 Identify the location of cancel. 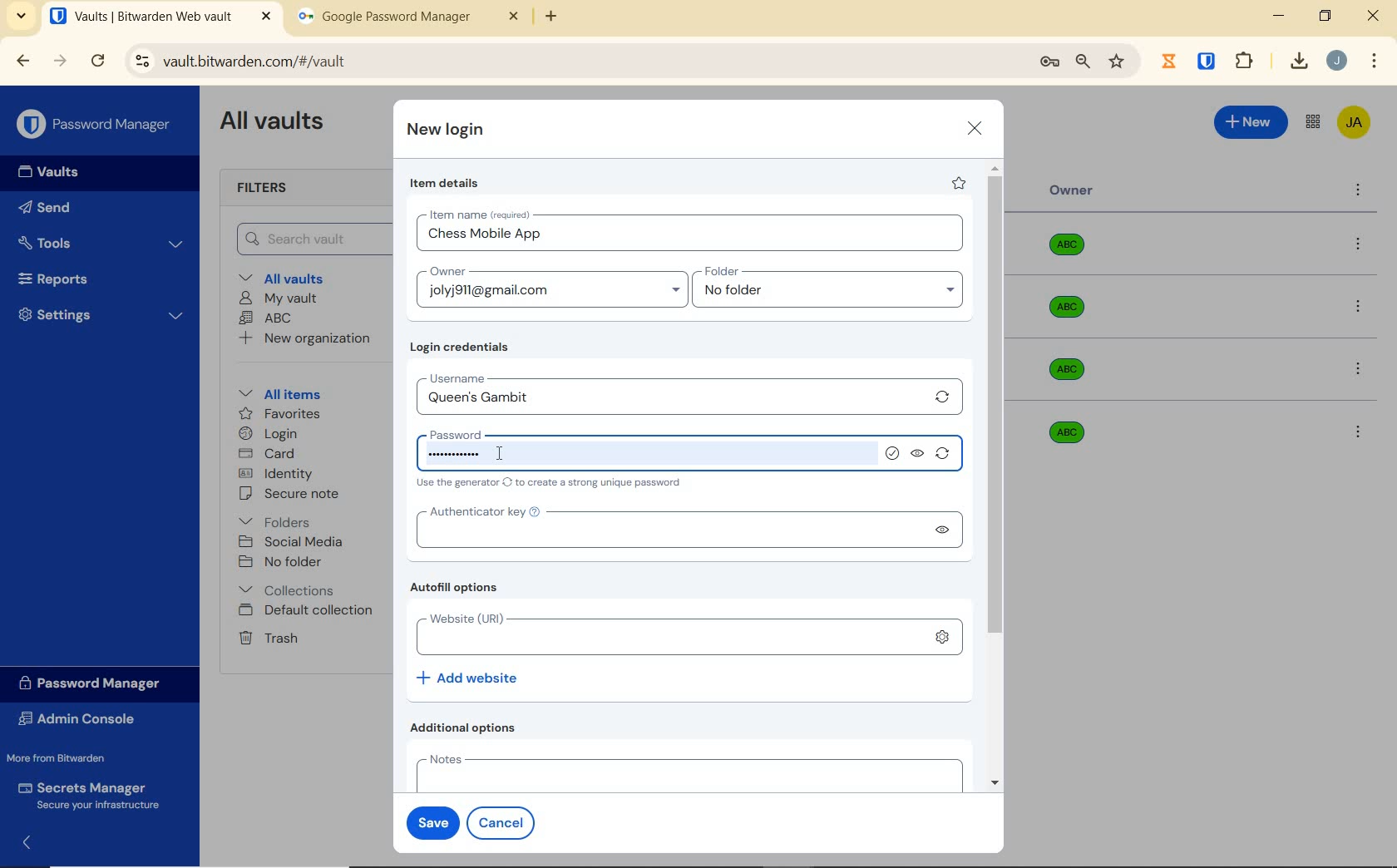
(504, 822).